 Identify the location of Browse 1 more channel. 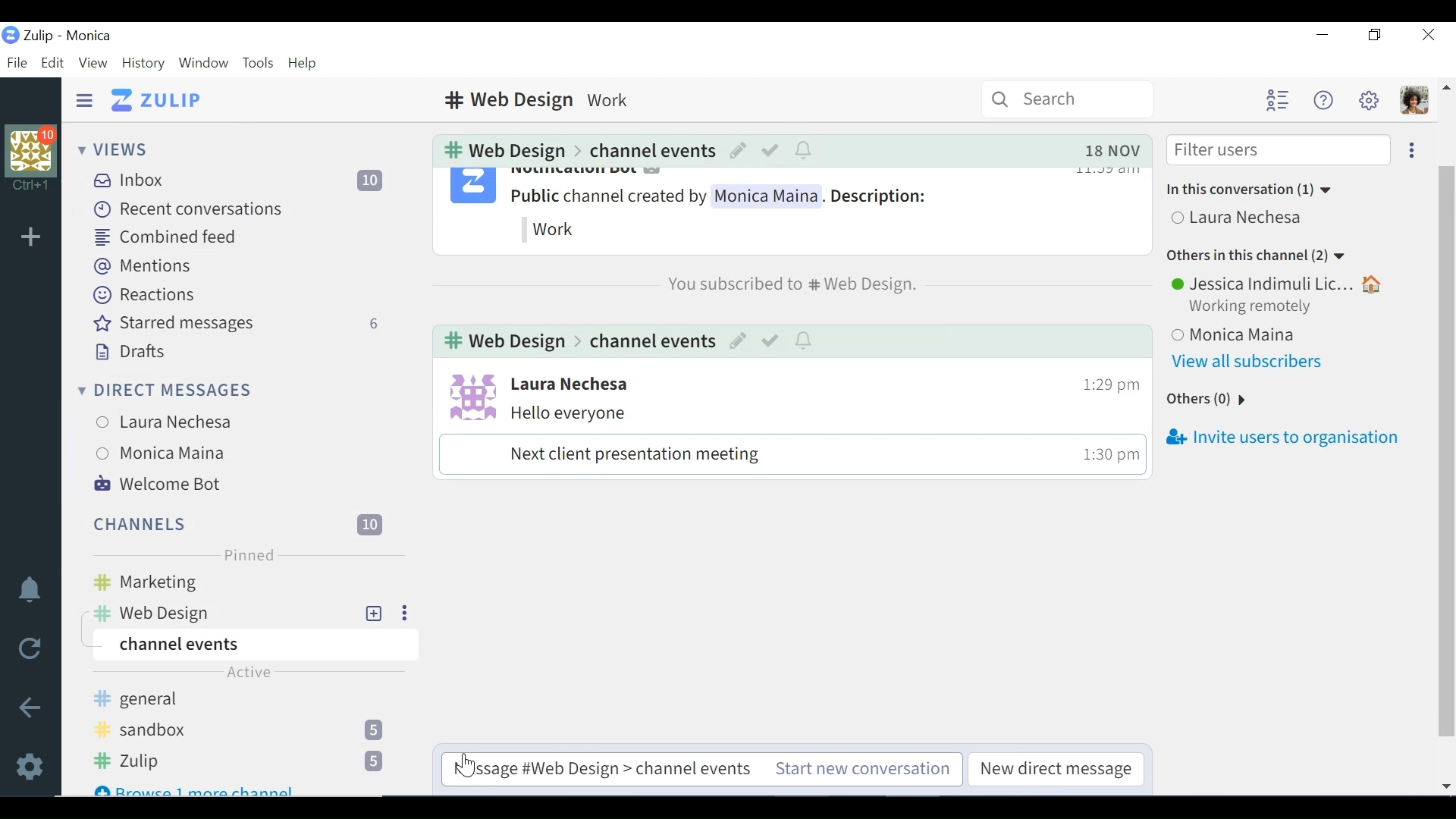
(197, 787).